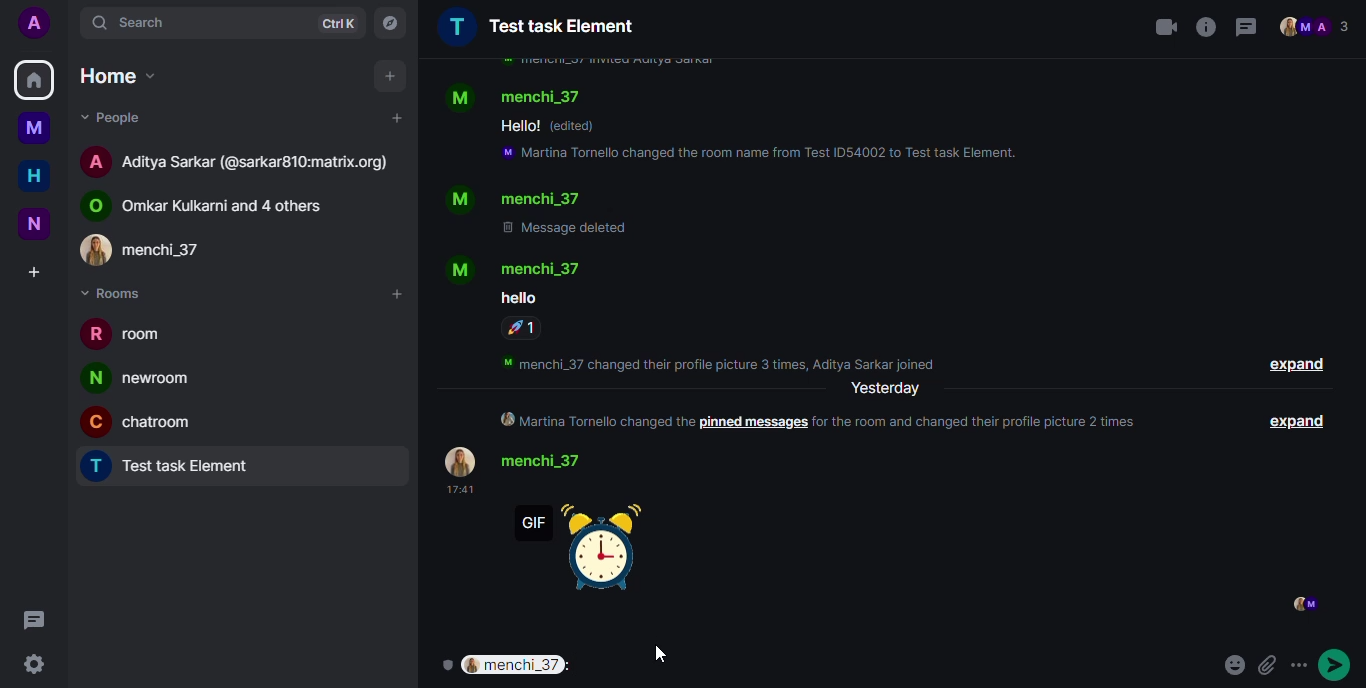  Describe the element at coordinates (524, 666) in the screenshot. I see `user selected` at that location.